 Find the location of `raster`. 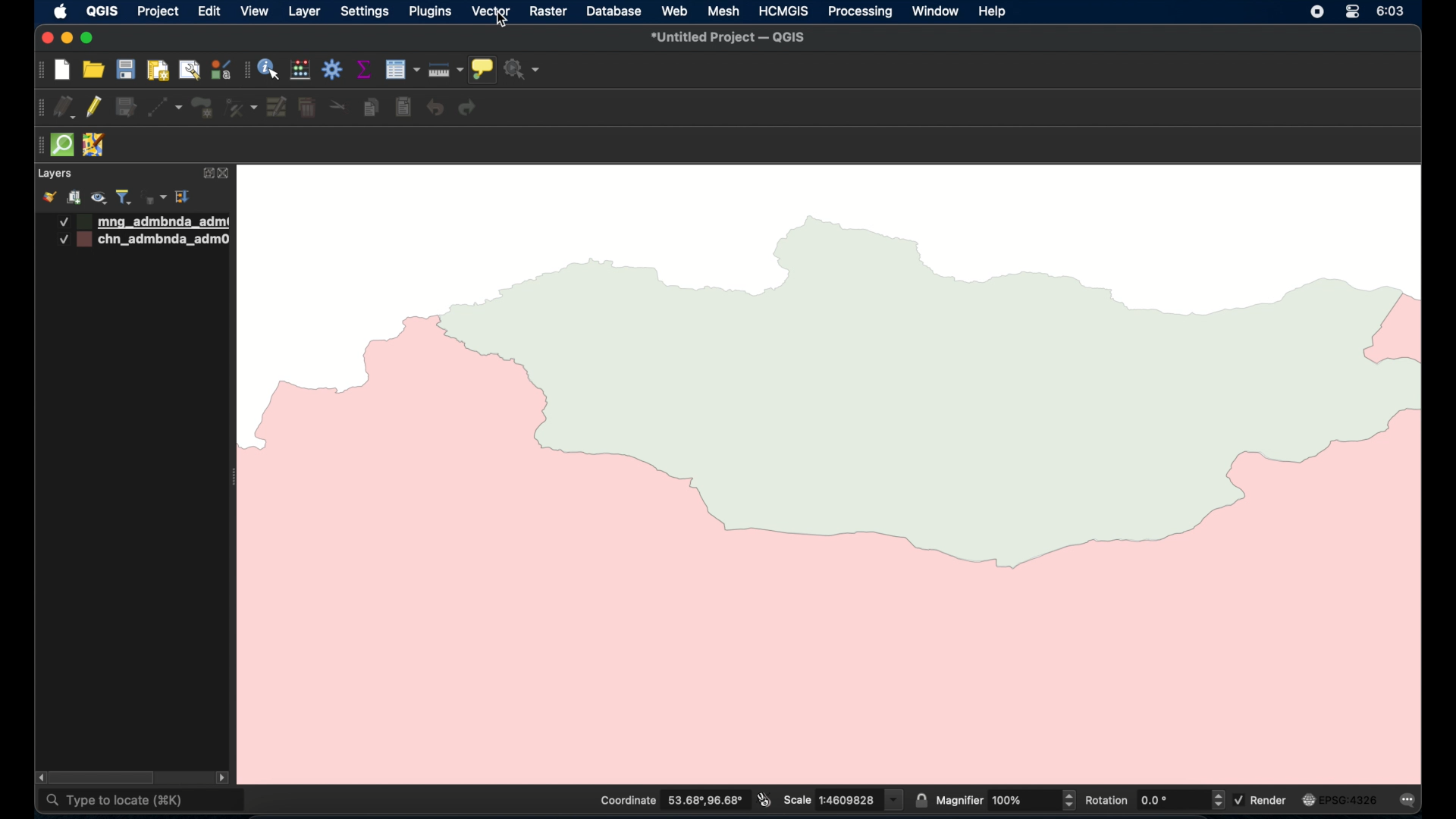

raster is located at coordinates (547, 12).